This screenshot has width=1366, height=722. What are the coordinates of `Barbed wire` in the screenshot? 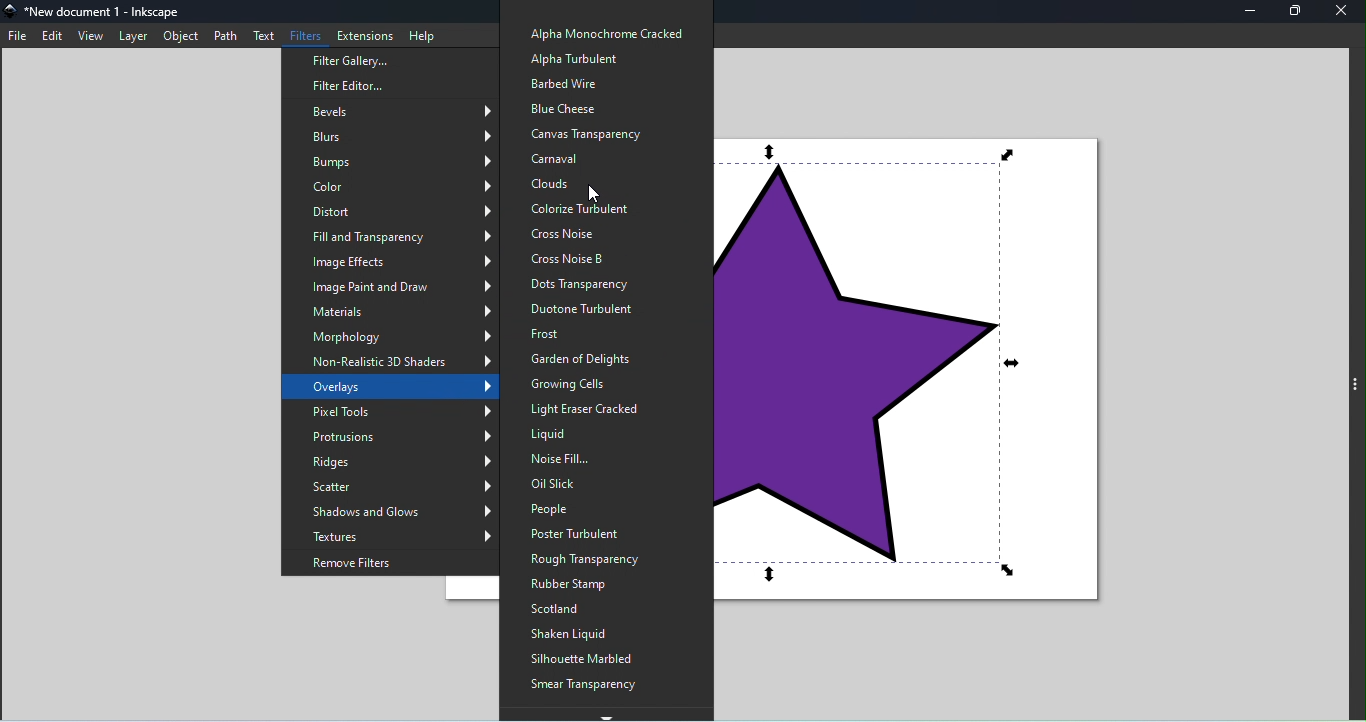 It's located at (565, 81).